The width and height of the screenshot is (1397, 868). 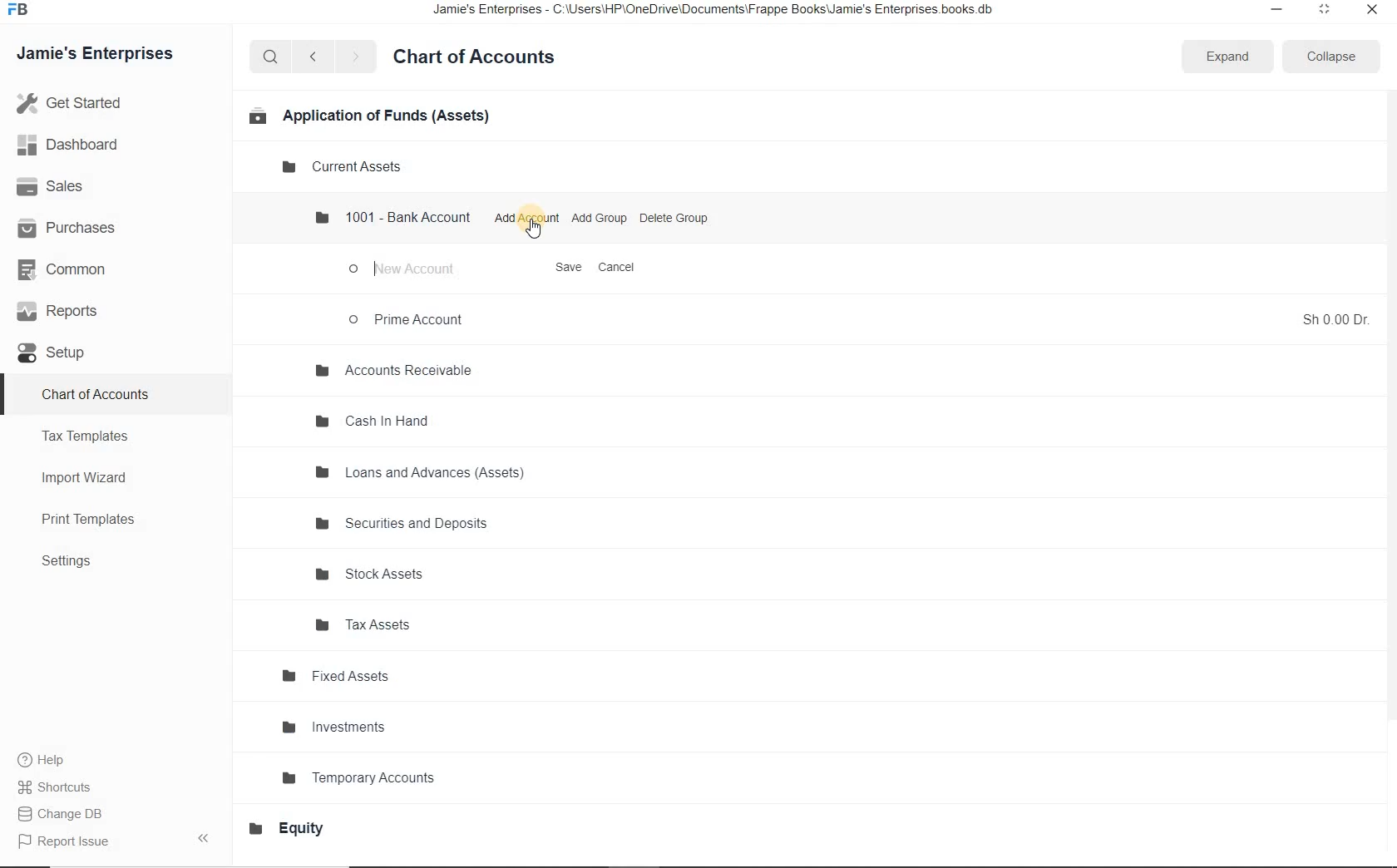 What do you see at coordinates (375, 575) in the screenshot?
I see `Stock Assets` at bounding box center [375, 575].